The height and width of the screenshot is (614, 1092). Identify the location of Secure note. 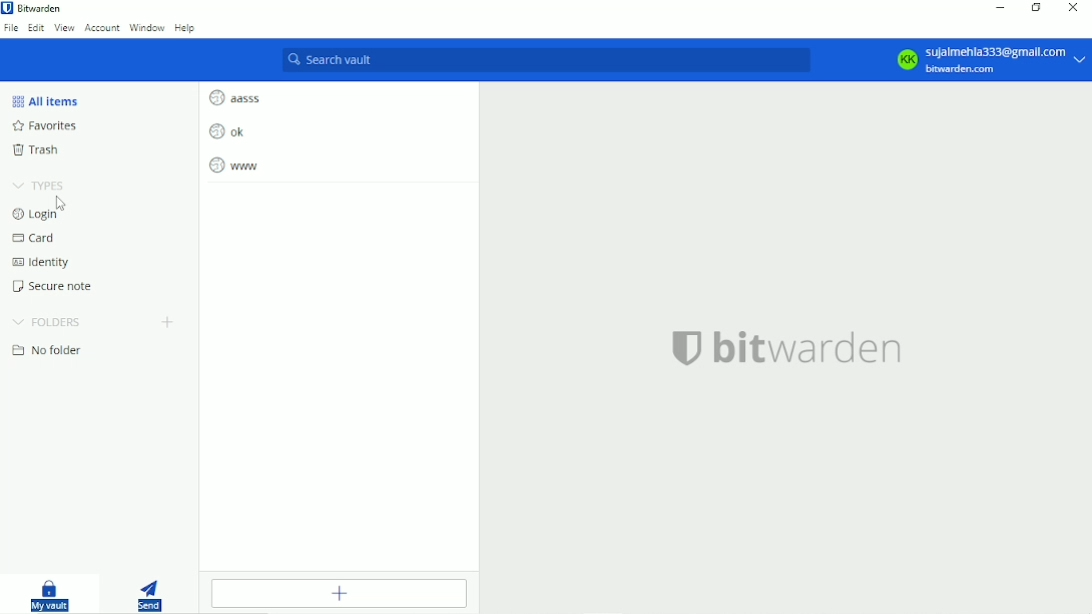
(58, 286).